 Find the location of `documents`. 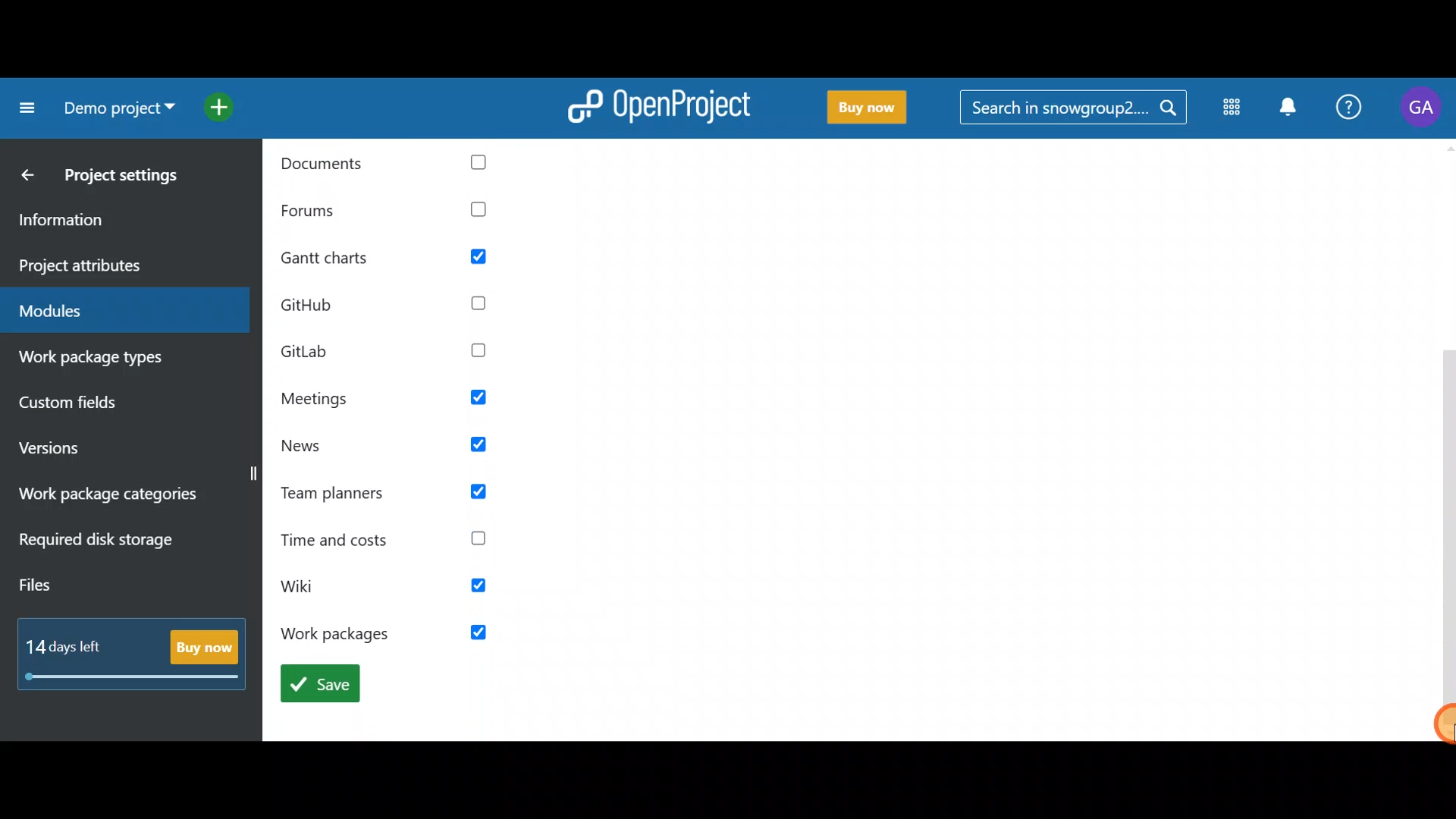

documents is located at coordinates (394, 165).